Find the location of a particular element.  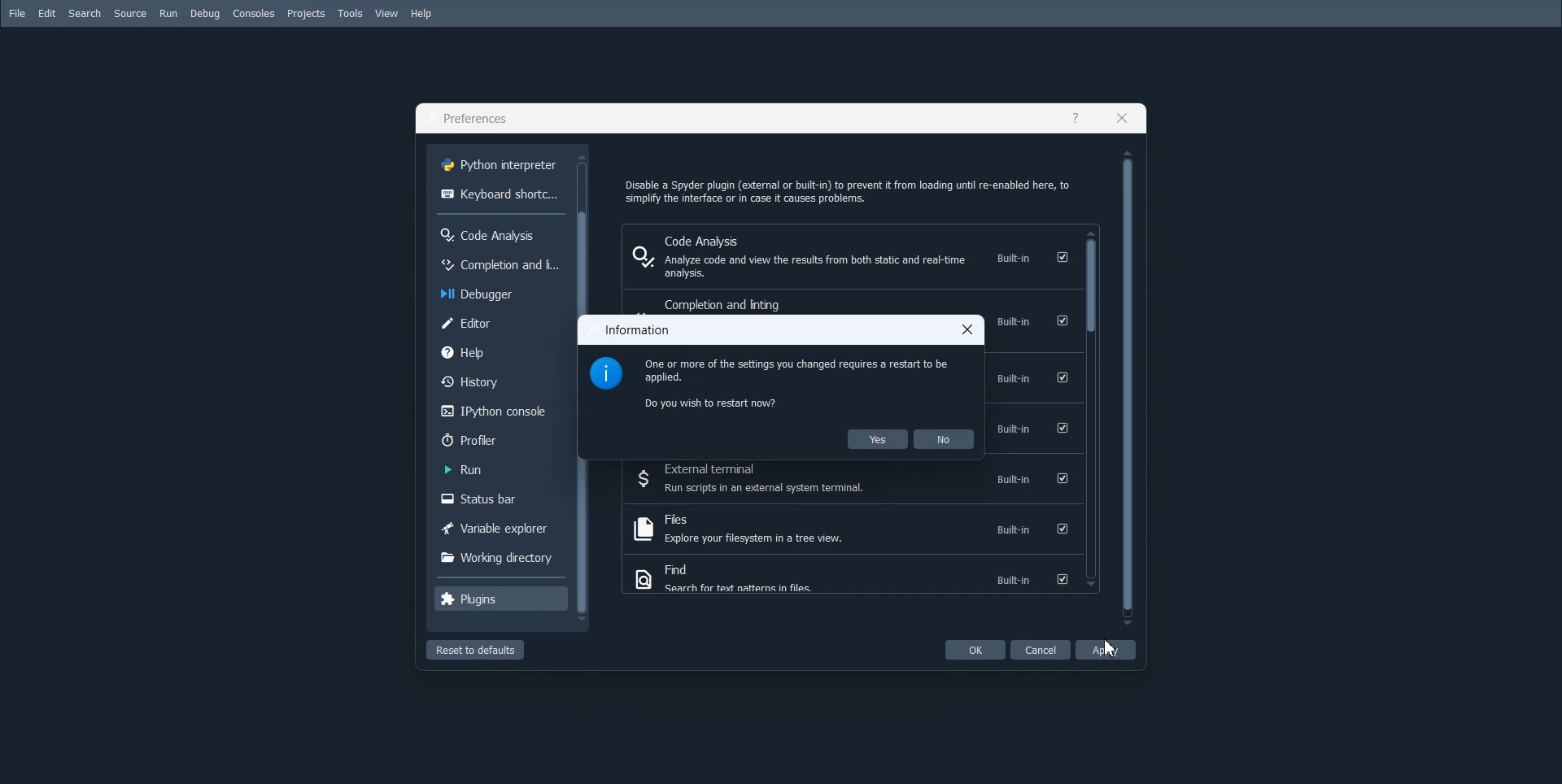

Consoles is located at coordinates (253, 14).